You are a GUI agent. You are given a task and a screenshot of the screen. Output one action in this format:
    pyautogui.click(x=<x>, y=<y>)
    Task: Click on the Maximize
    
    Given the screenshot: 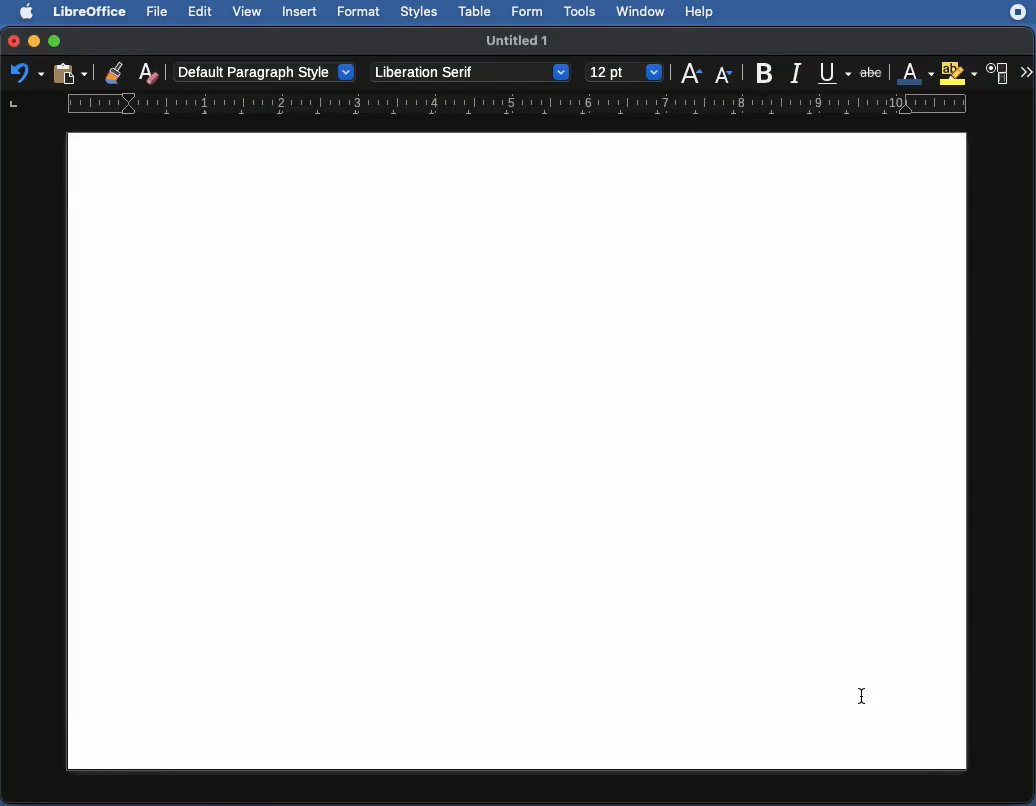 What is the action you would take?
    pyautogui.click(x=57, y=40)
    